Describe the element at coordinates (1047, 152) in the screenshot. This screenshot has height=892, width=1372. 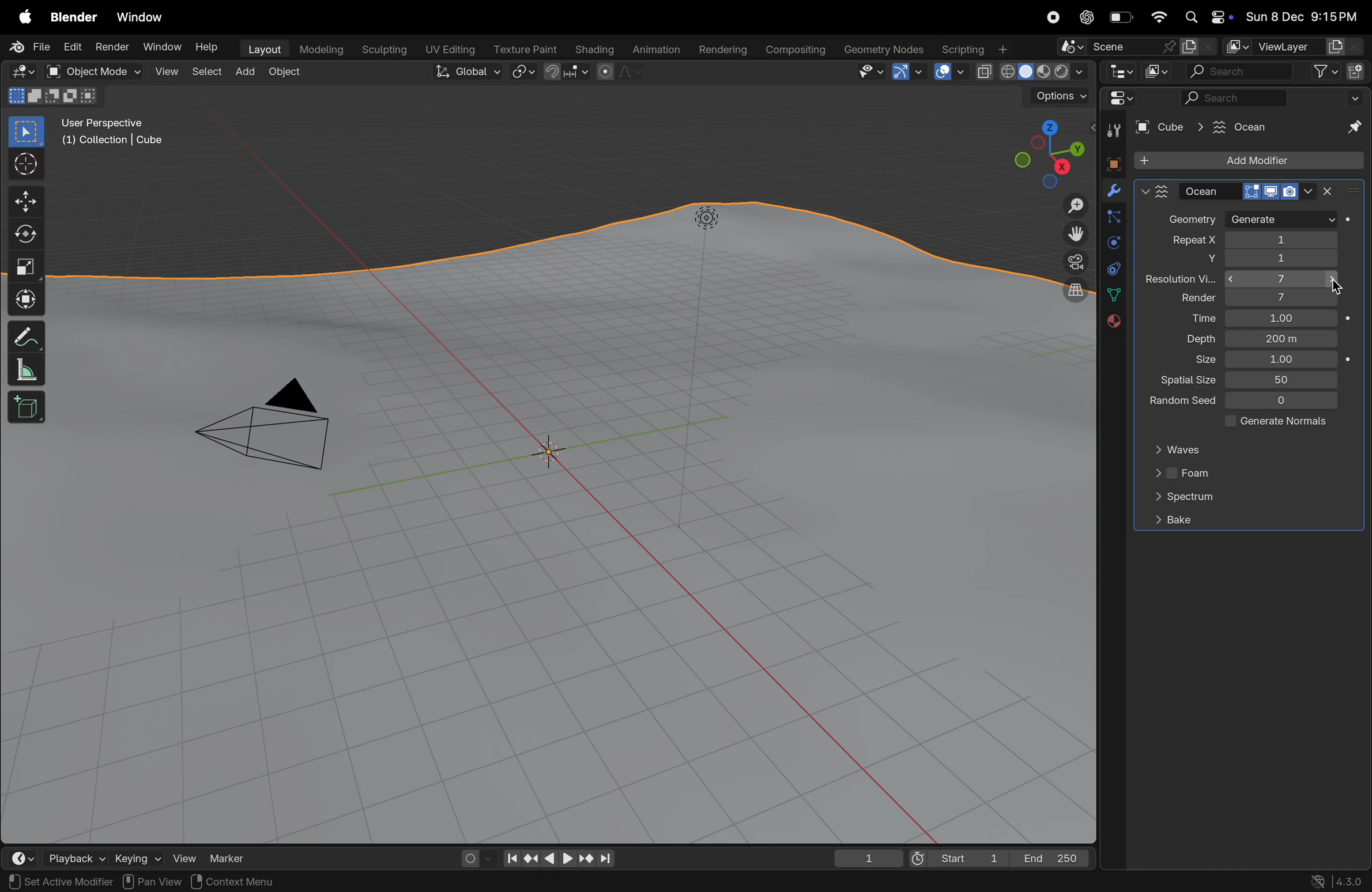
I see `view points` at that location.